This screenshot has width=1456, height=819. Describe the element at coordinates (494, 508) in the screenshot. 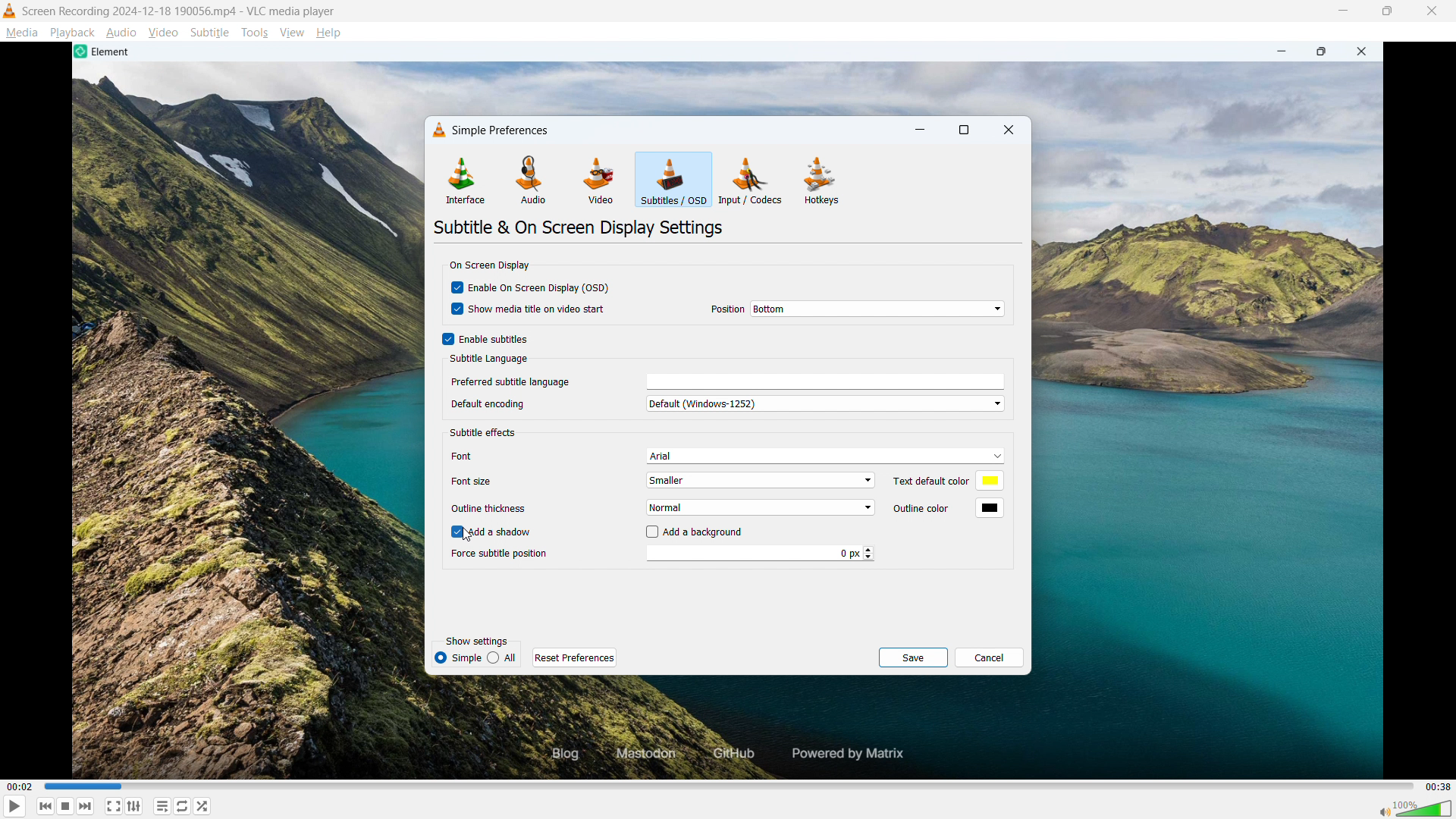

I see `outline thickness` at that location.